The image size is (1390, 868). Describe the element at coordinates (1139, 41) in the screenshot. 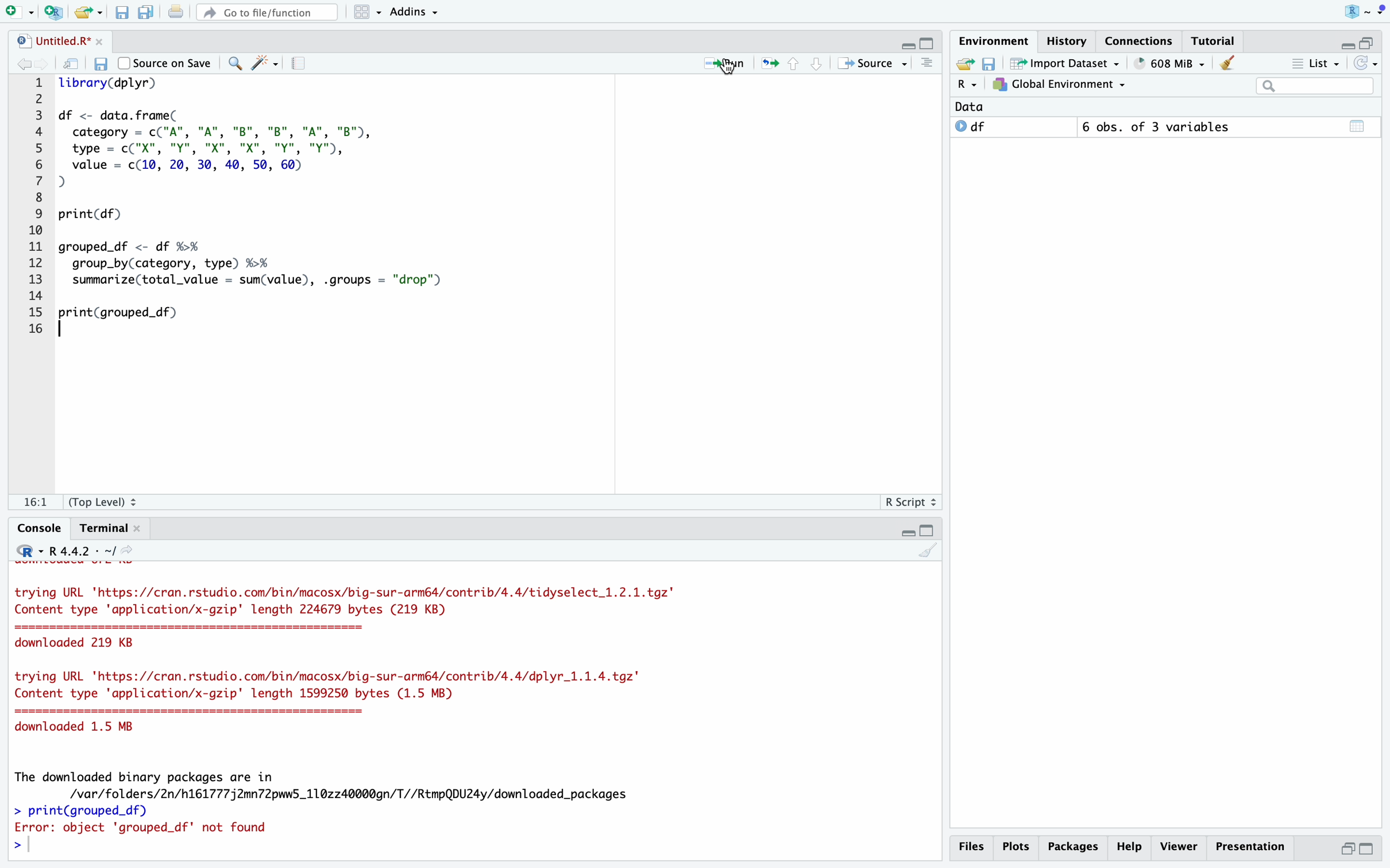

I see `Connections` at that location.